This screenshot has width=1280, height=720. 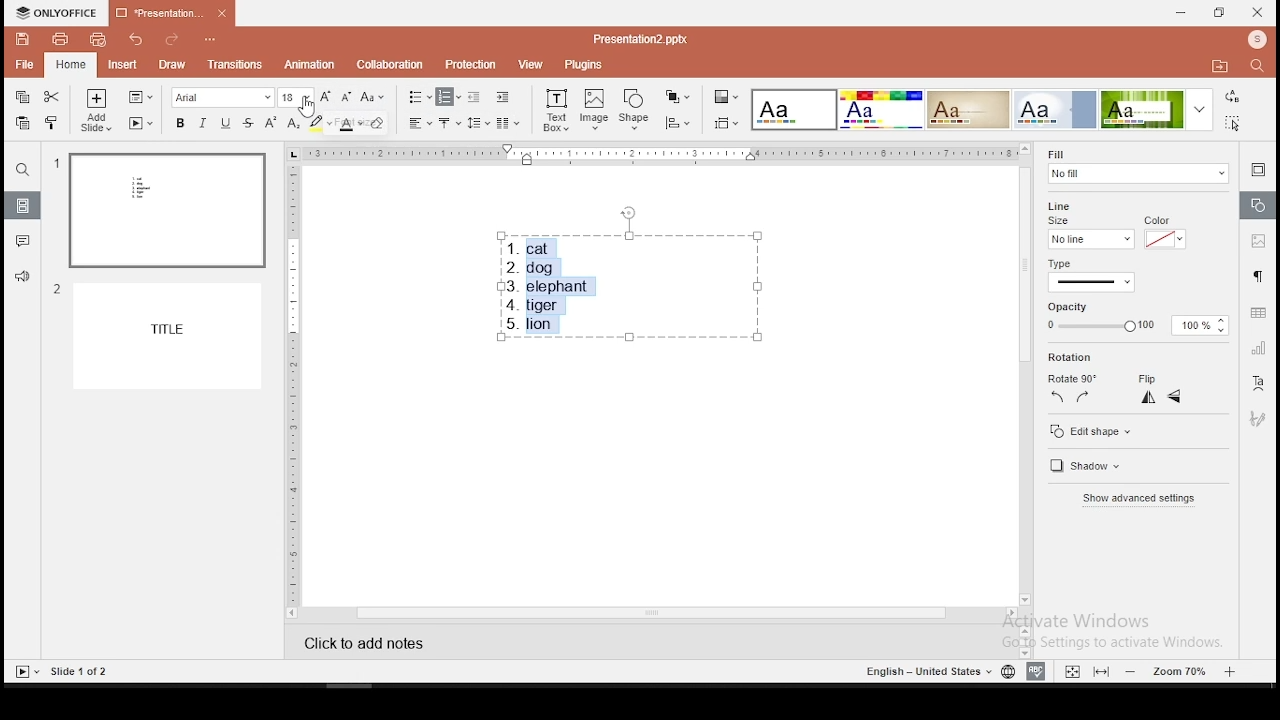 What do you see at coordinates (173, 38) in the screenshot?
I see `redo` at bounding box center [173, 38].